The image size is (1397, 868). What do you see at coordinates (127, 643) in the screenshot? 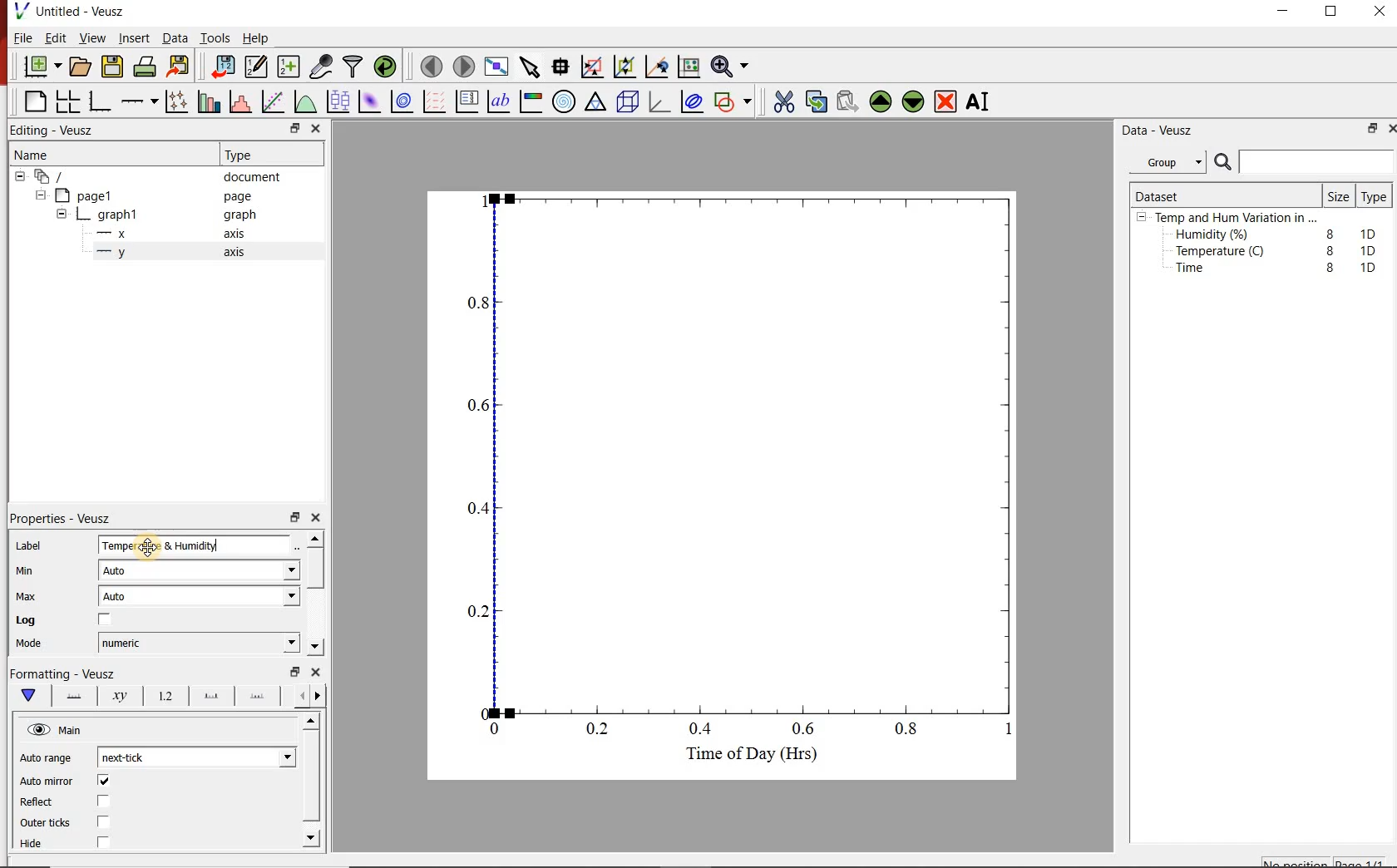
I see `datetime` at bounding box center [127, 643].